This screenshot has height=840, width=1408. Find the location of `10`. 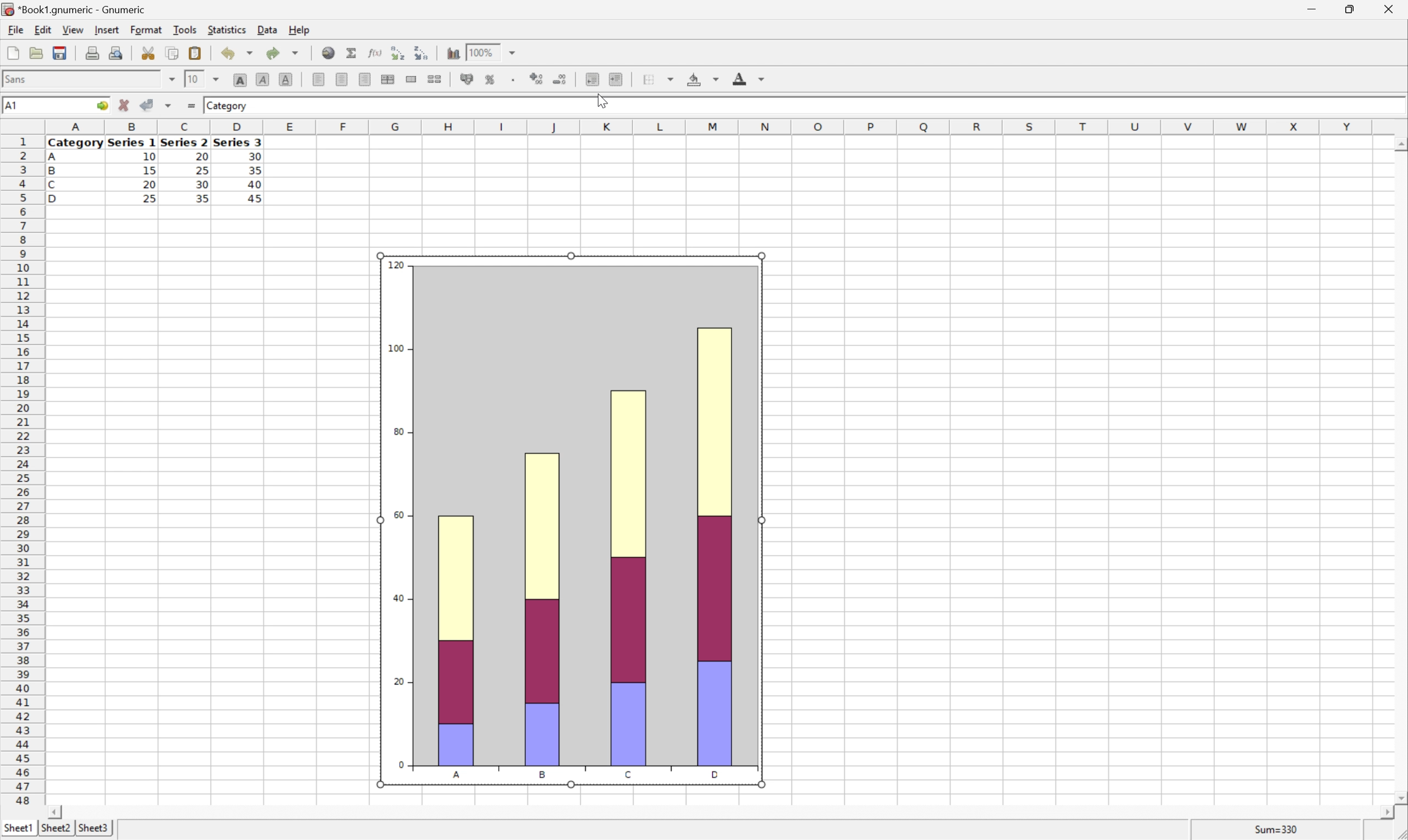

10 is located at coordinates (194, 79).